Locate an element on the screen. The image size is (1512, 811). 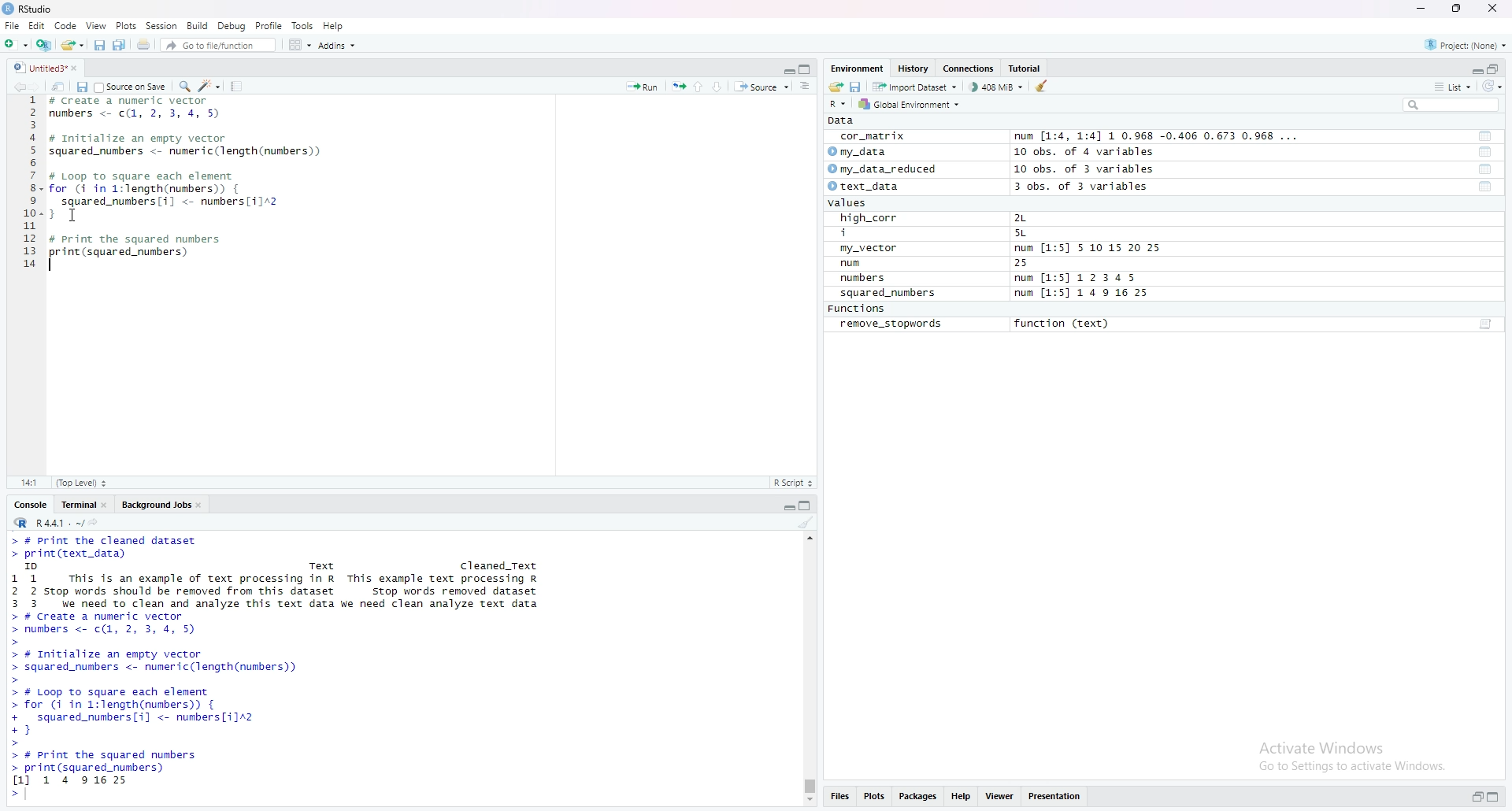
close is located at coordinates (80, 67).